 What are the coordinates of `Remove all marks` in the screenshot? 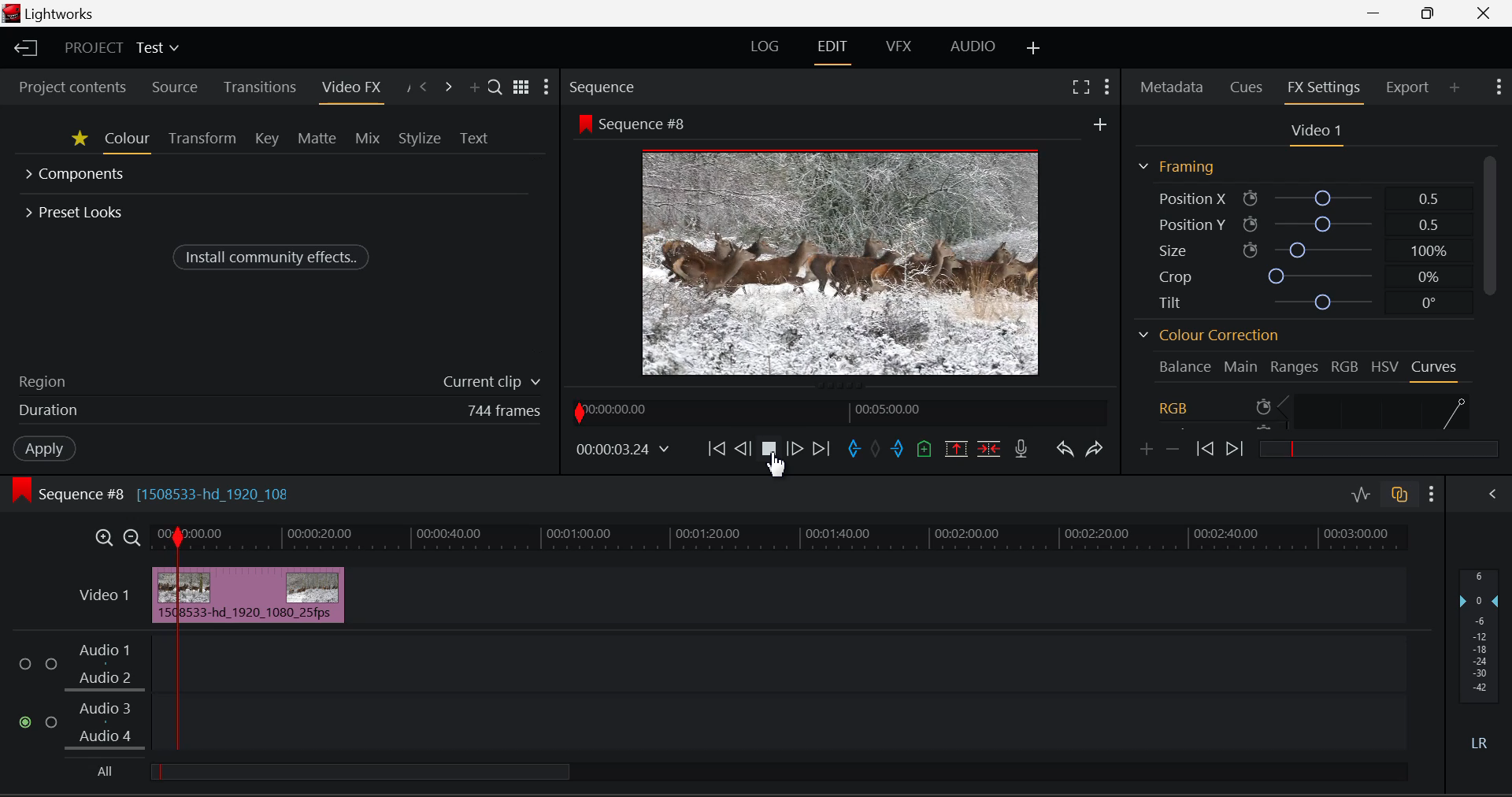 It's located at (877, 450).